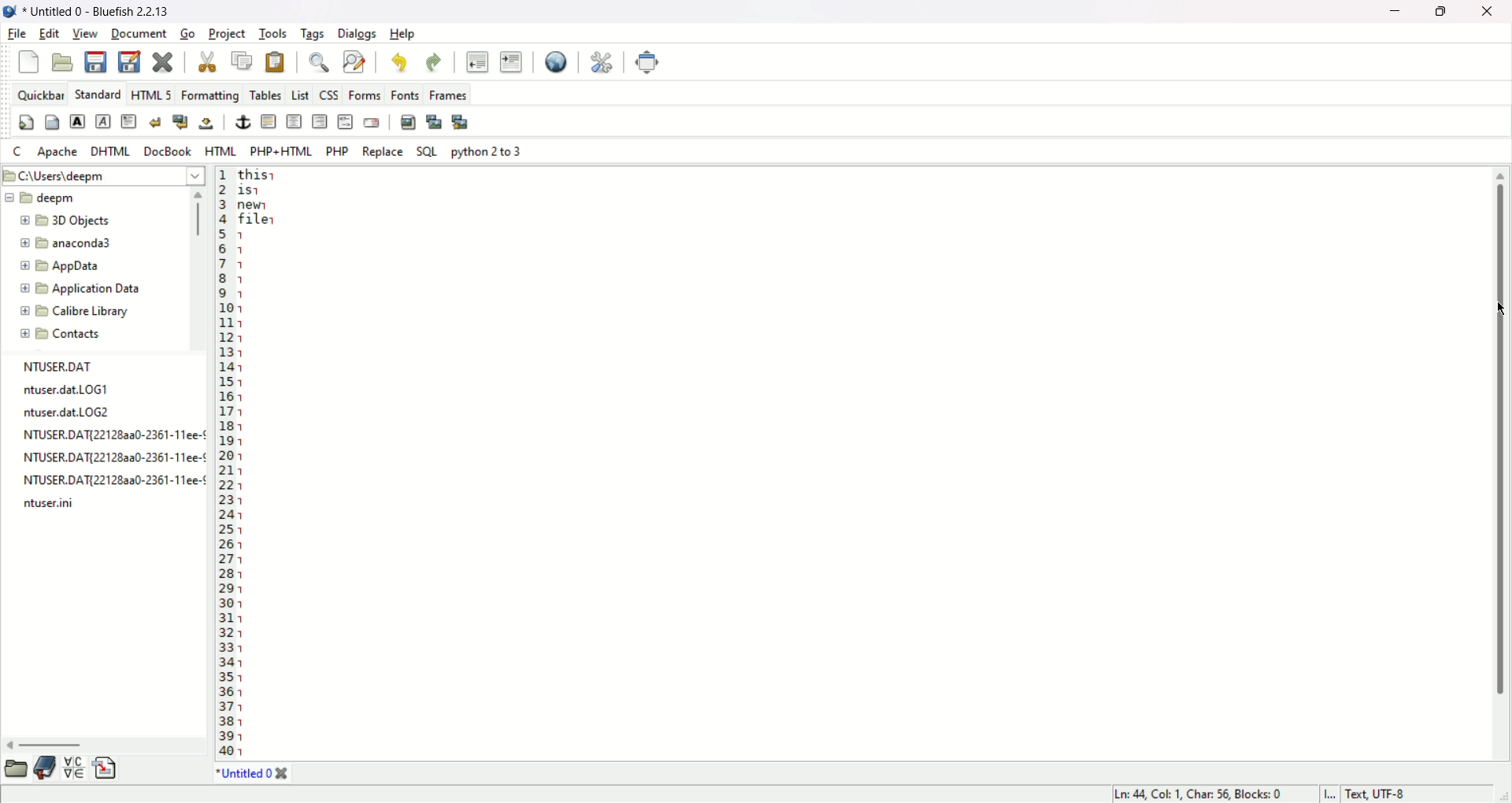 This screenshot has height=803, width=1512. What do you see at coordinates (16, 35) in the screenshot?
I see `file` at bounding box center [16, 35].